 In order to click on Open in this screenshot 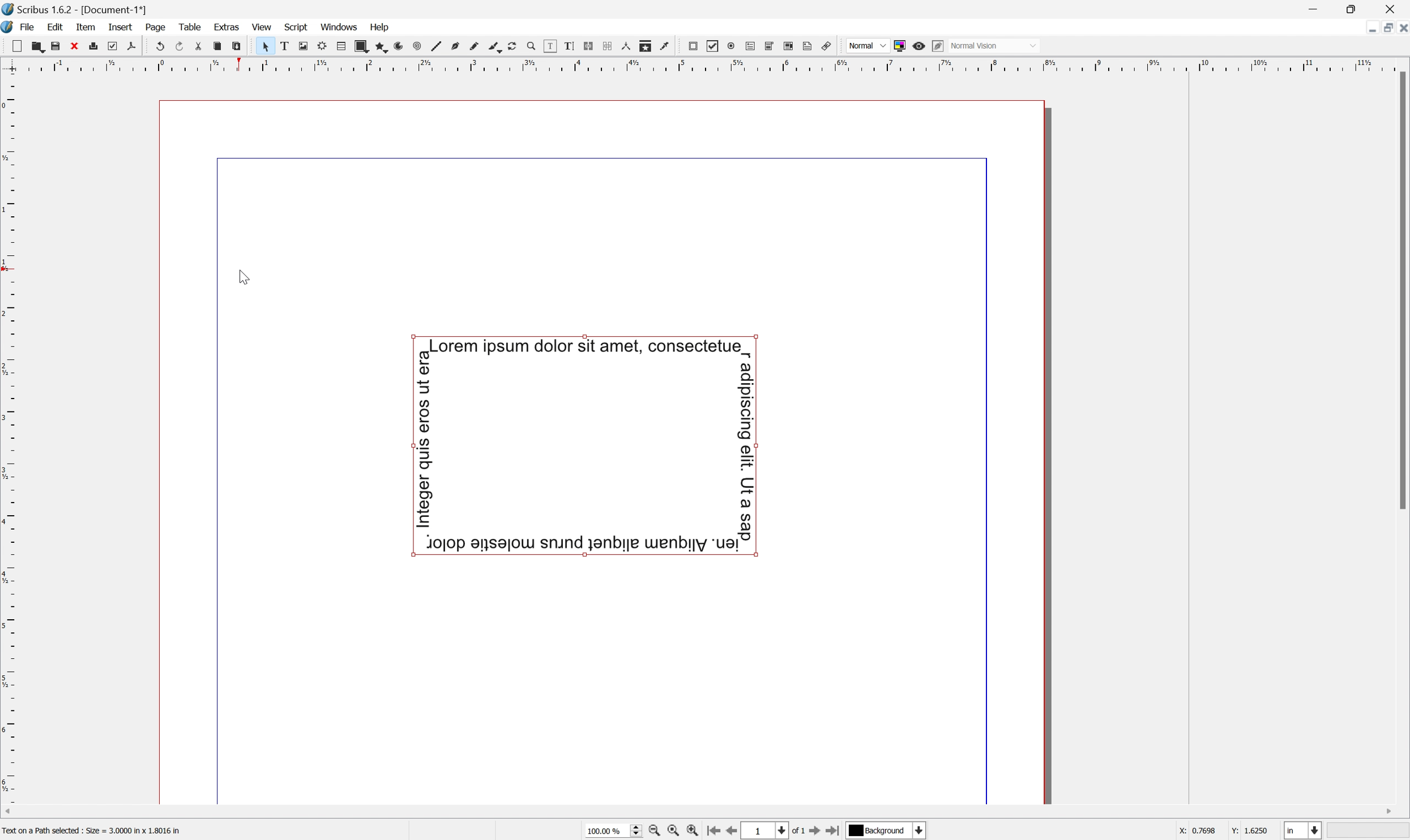, I will do `click(33, 47)`.